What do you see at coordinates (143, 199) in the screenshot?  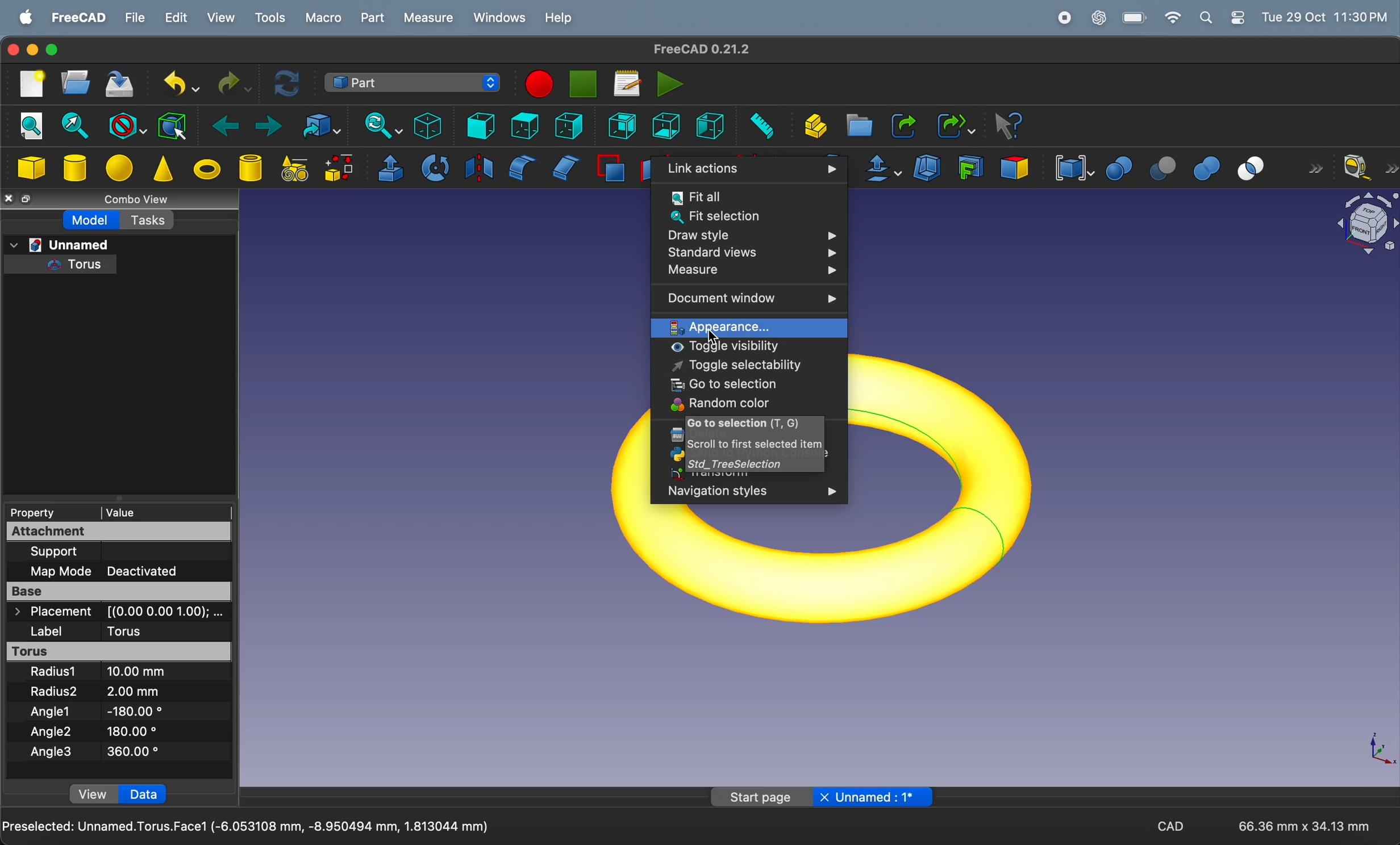 I see `combo views` at bounding box center [143, 199].